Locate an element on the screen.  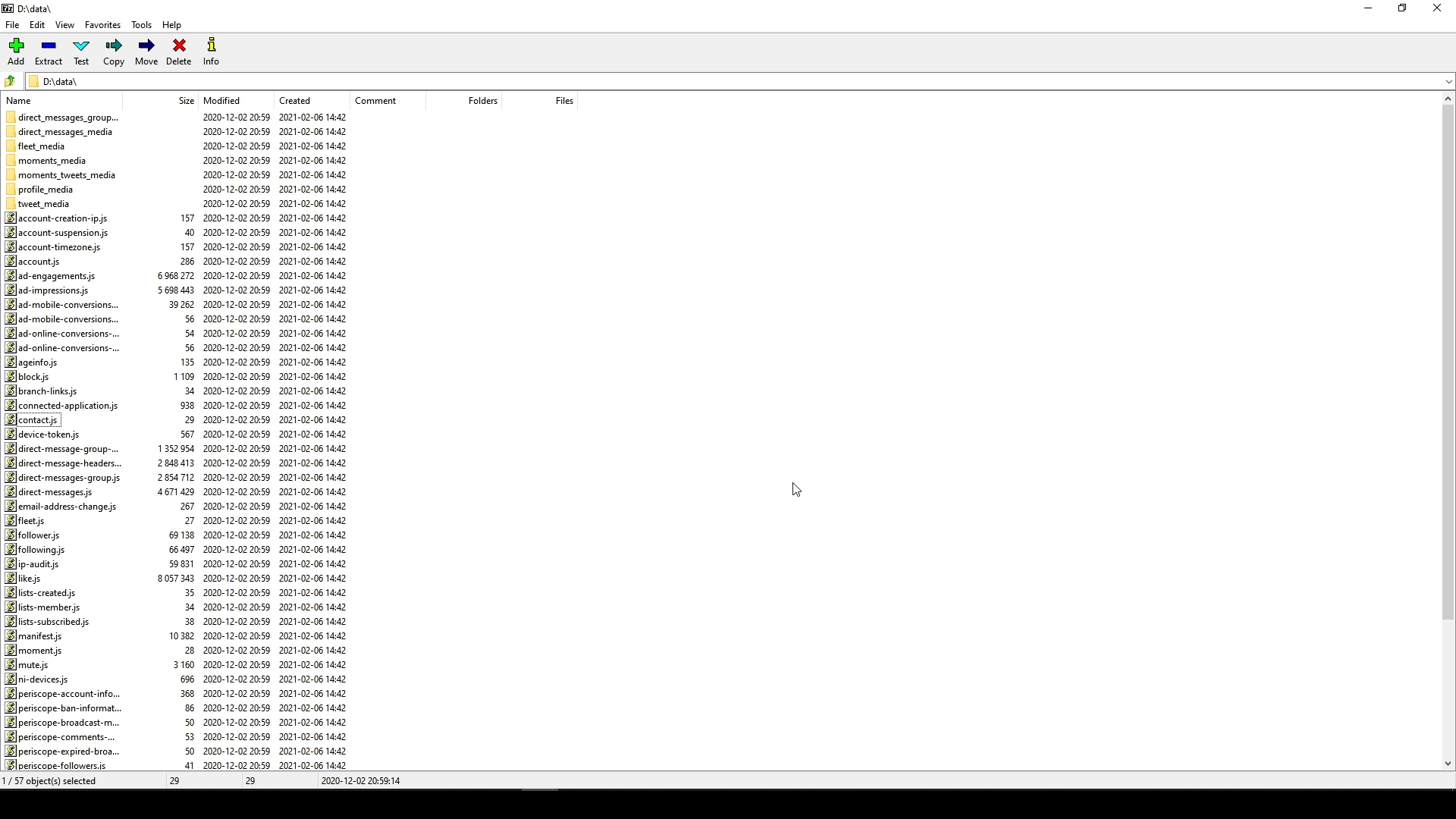
Info is located at coordinates (211, 52).